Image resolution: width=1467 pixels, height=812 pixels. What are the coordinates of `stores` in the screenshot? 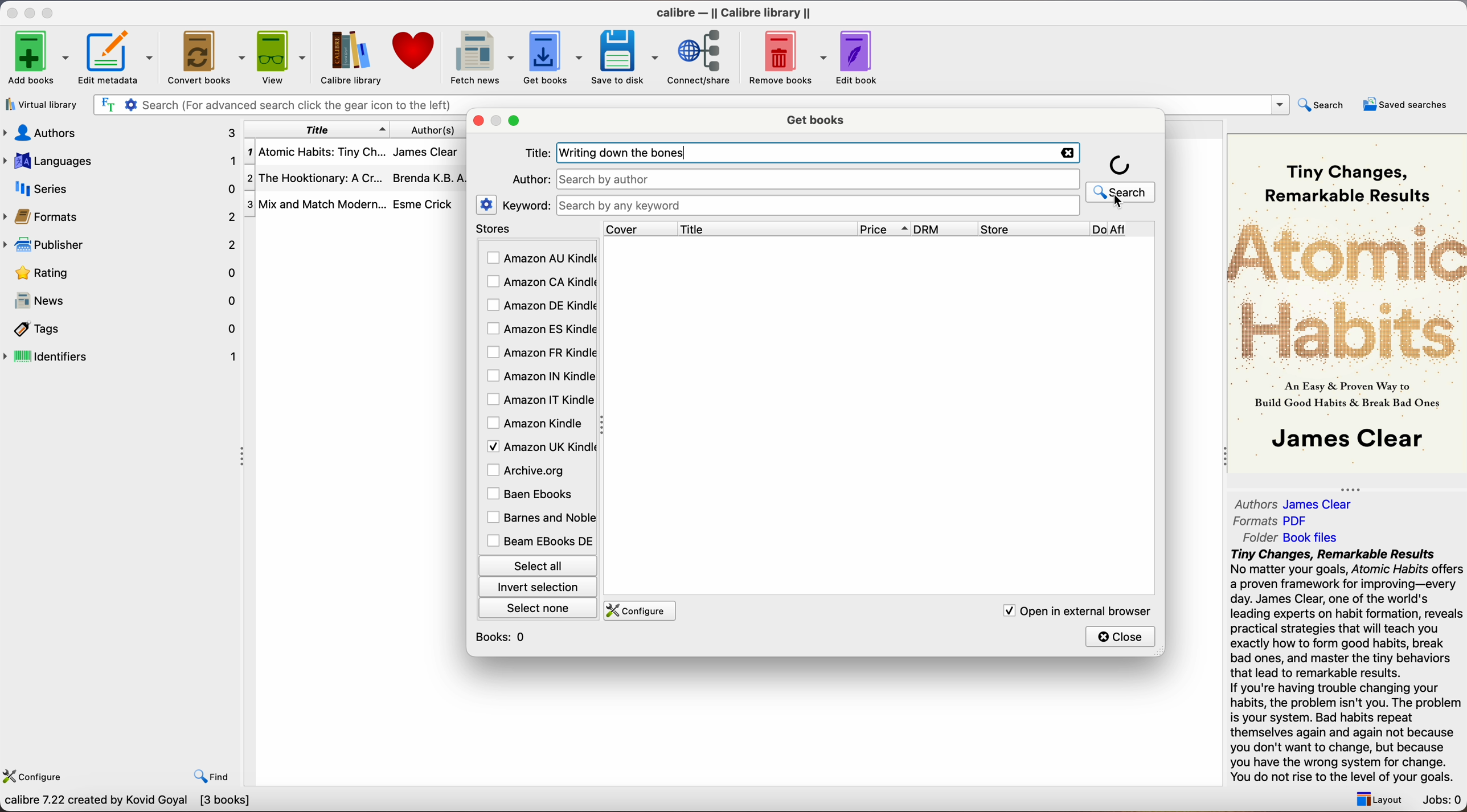 It's located at (536, 229).